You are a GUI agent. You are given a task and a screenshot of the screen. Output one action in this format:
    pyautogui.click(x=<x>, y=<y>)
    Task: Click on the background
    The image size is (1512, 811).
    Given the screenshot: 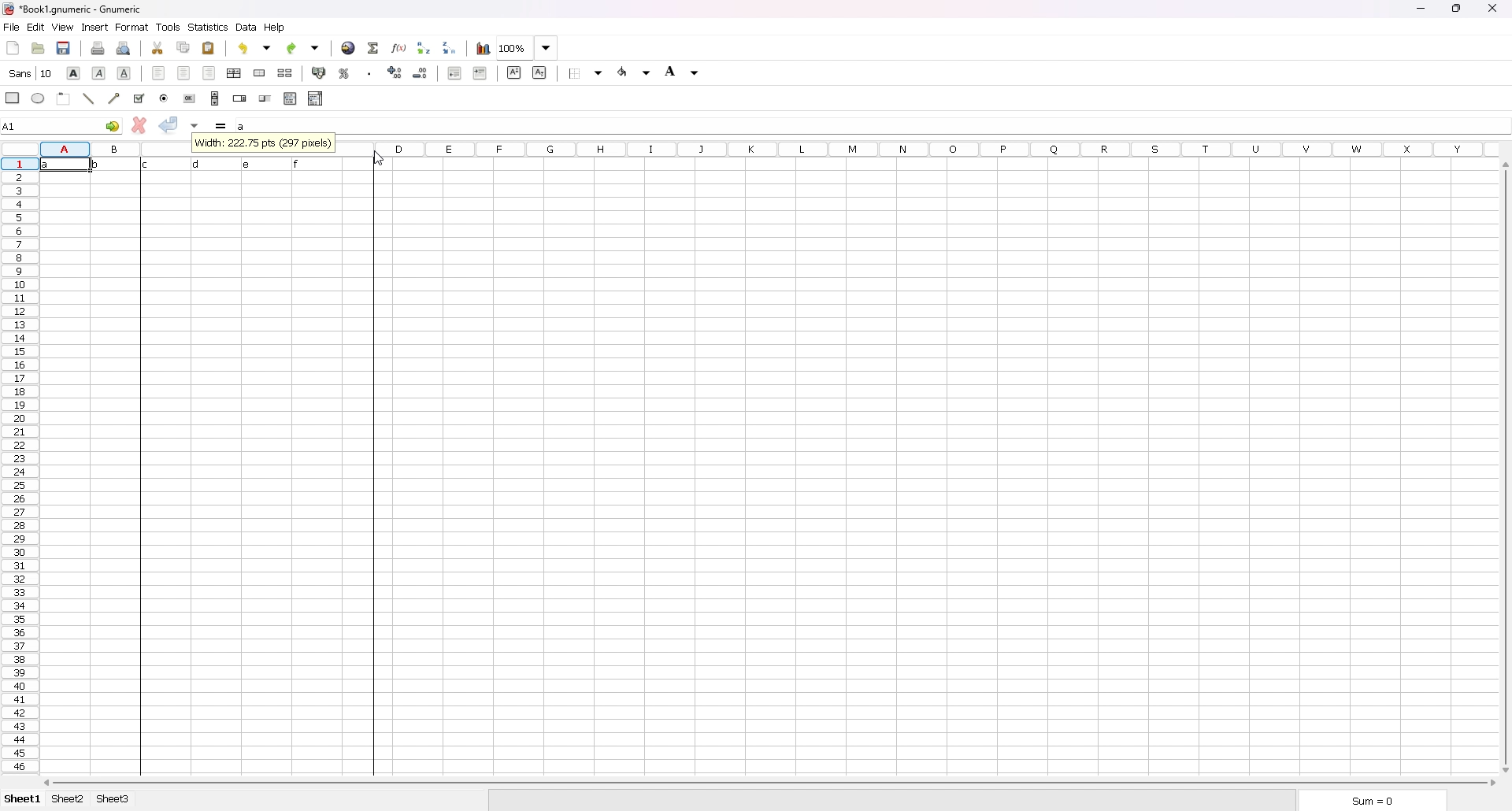 What is the action you would take?
    pyautogui.click(x=684, y=71)
    